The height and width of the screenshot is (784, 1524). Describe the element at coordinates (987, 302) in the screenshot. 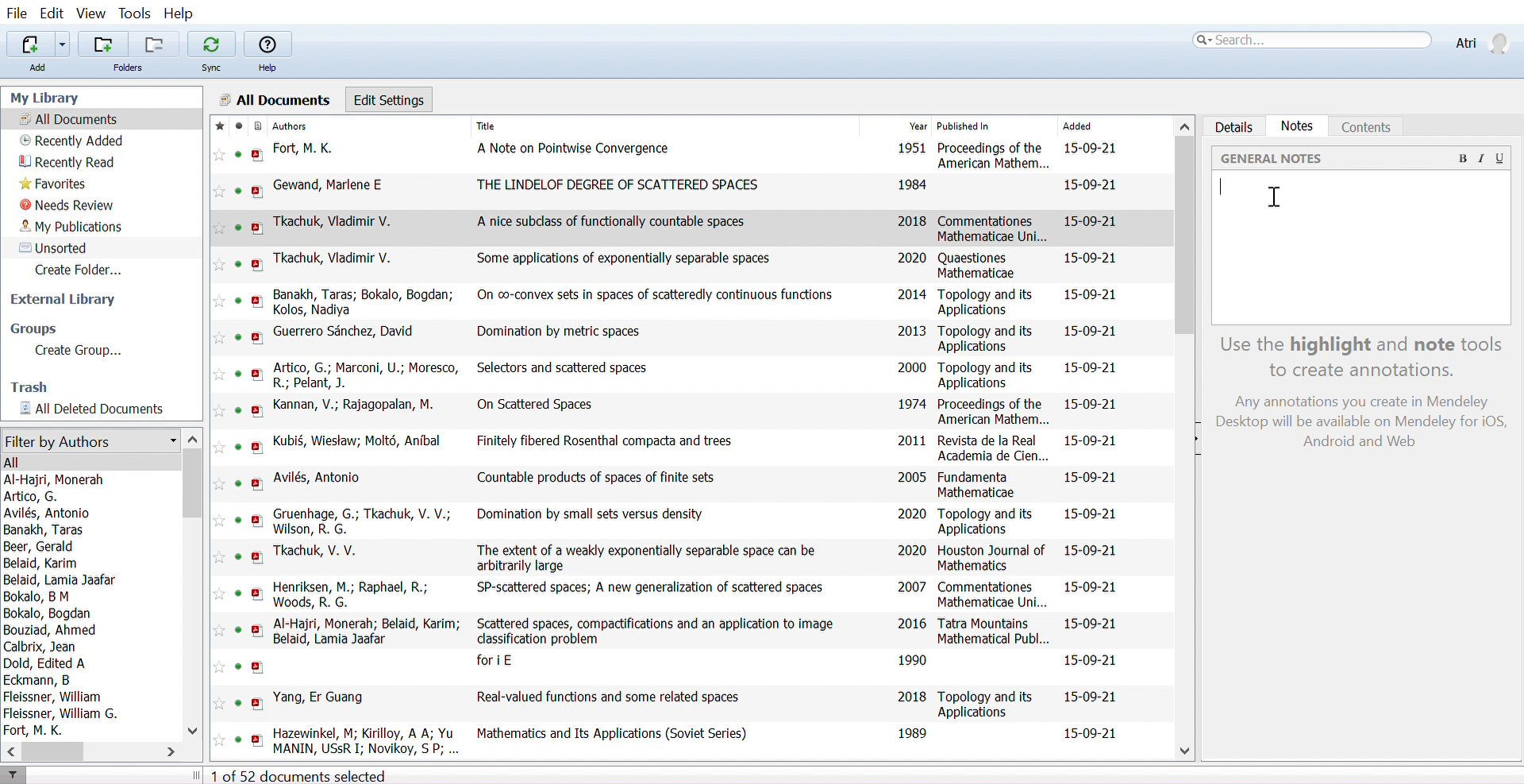

I see `Topology and its Applications` at that location.